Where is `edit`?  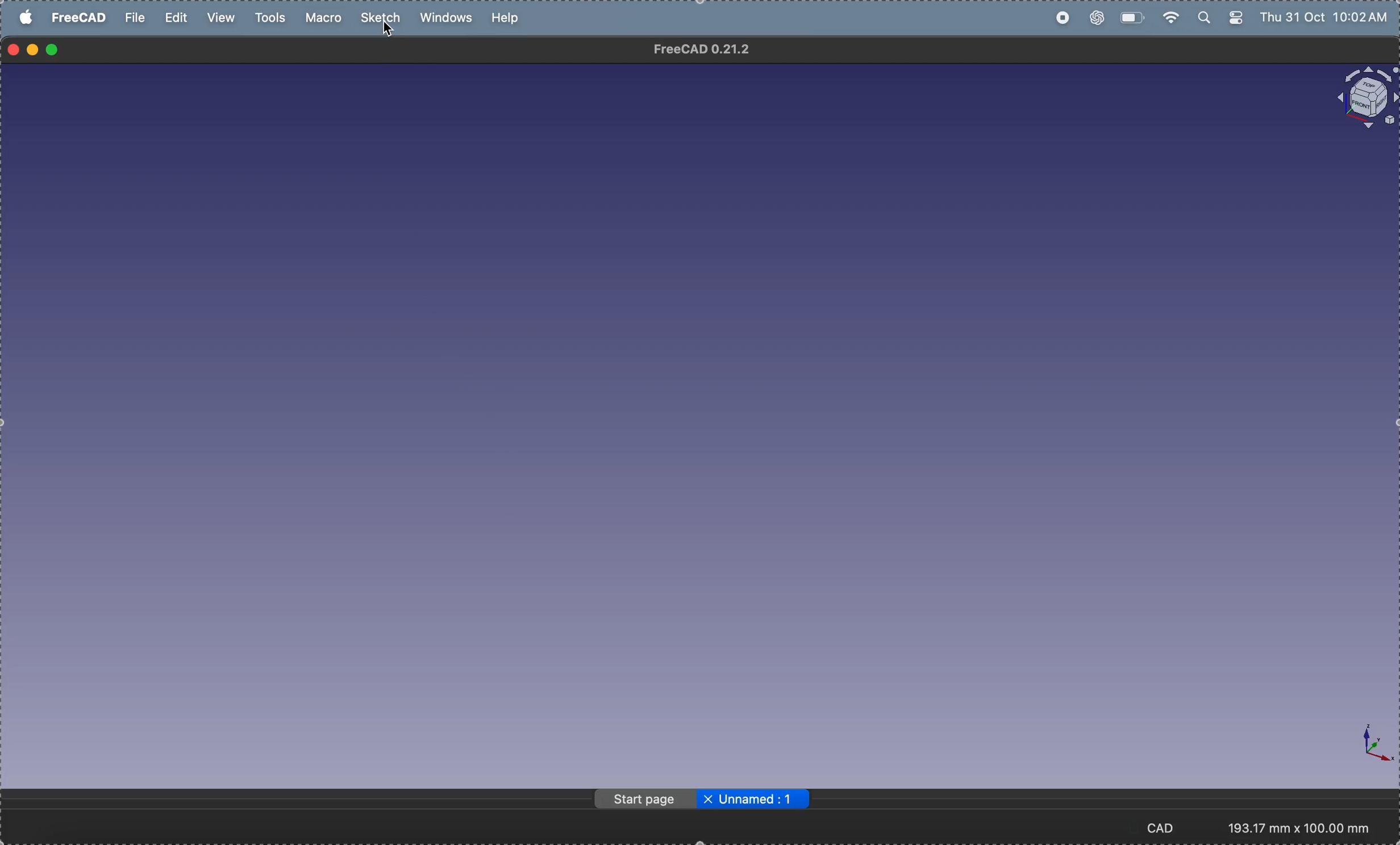
edit is located at coordinates (178, 18).